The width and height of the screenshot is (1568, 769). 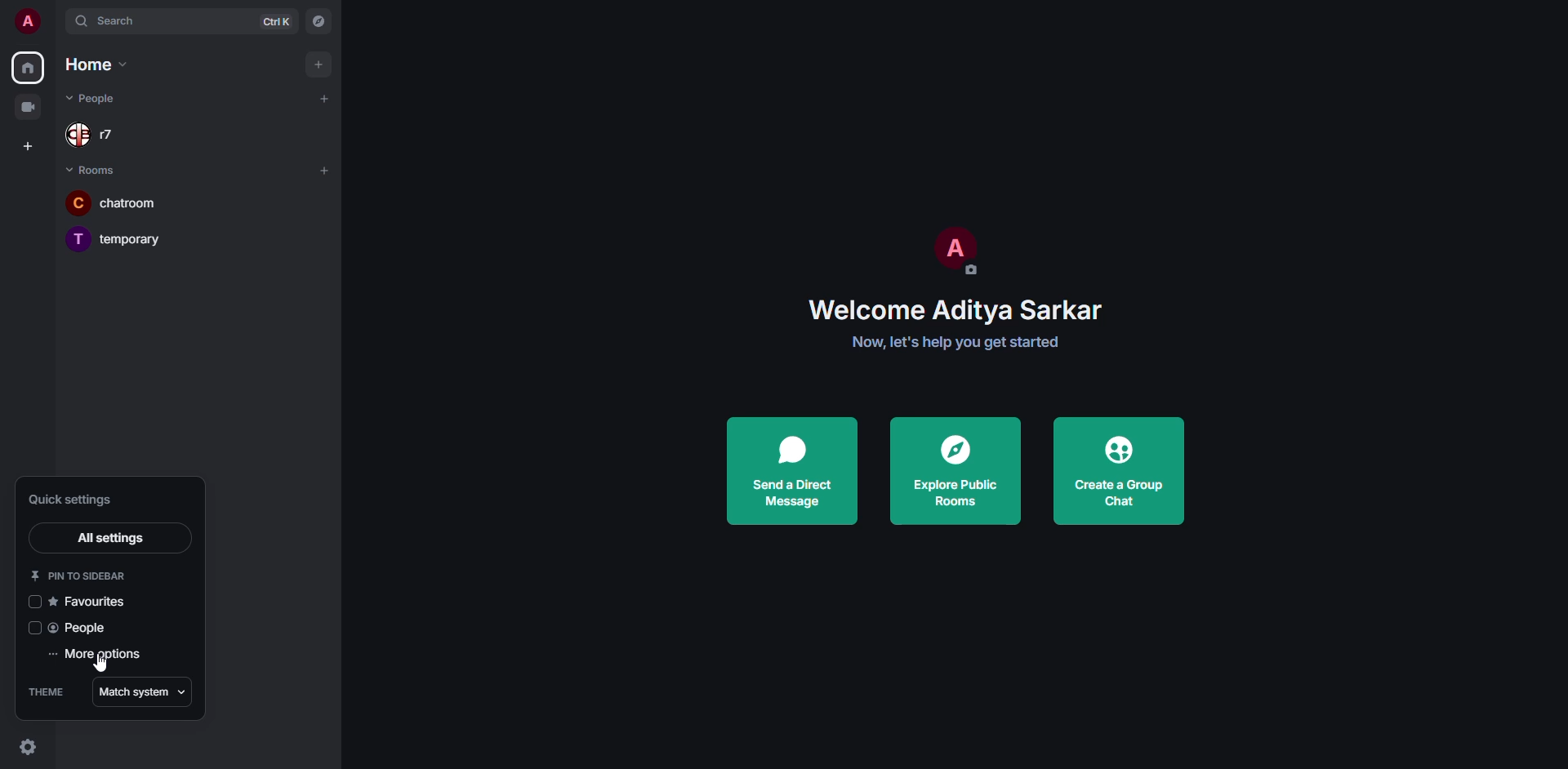 I want to click on quick settings, so click(x=26, y=745).